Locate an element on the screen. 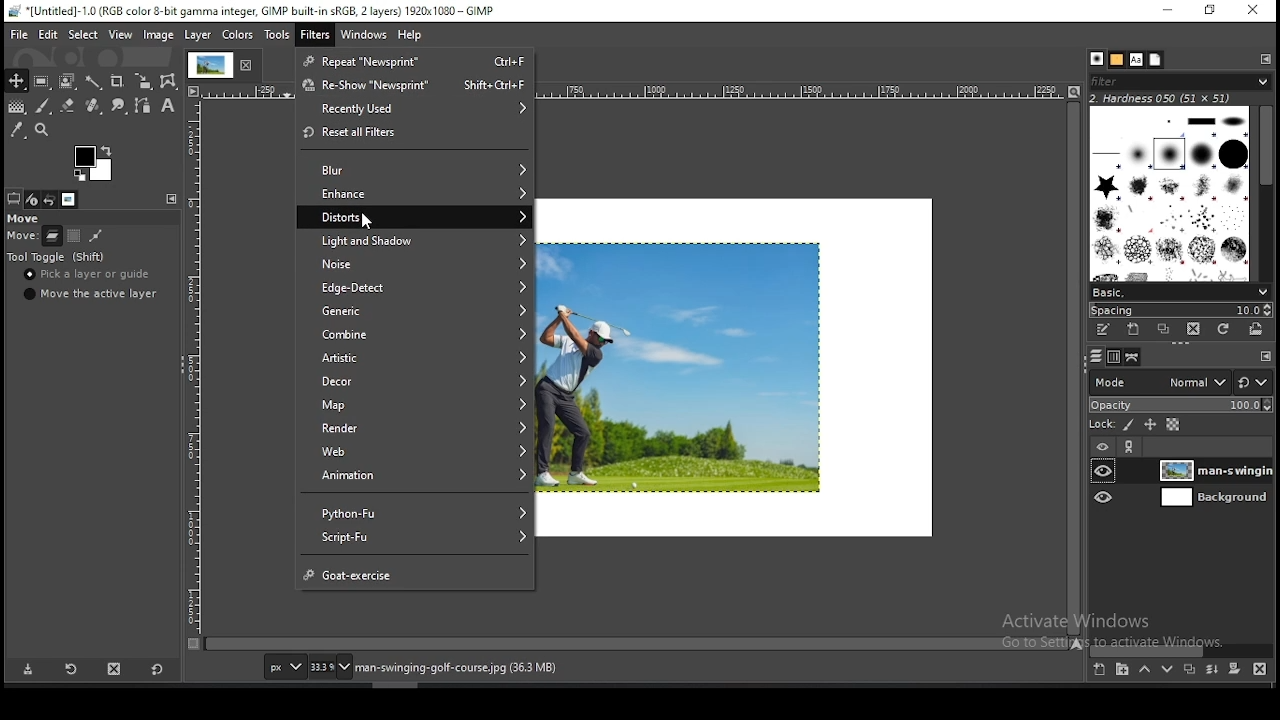  move layer is located at coordinates (51, 235).